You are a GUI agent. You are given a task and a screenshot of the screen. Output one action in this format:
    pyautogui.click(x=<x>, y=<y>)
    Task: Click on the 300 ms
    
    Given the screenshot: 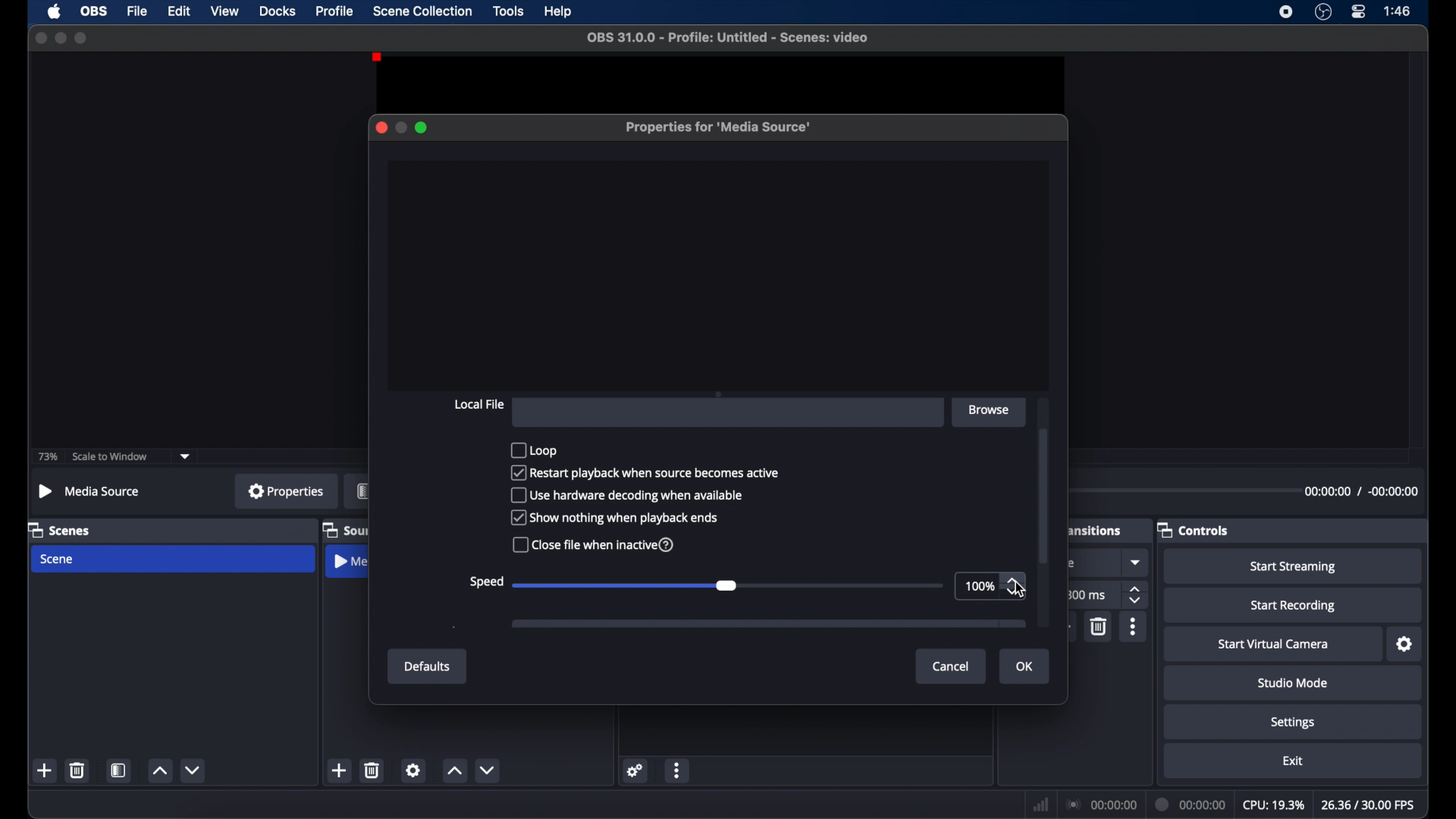 What is the action you would take?
    pyautogui.click(x=1086, y=595)
    